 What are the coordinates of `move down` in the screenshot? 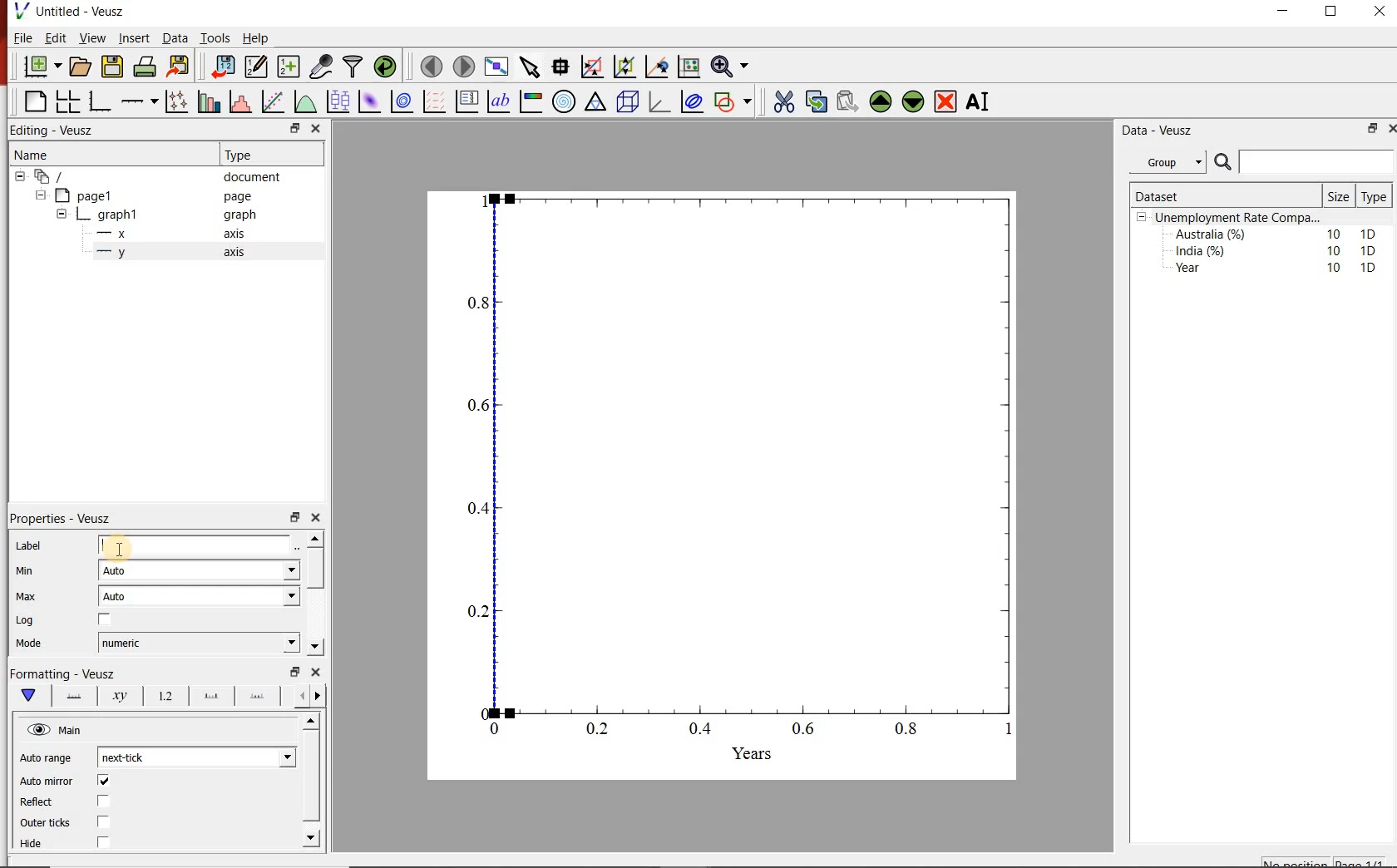 It's located at (311, 838).